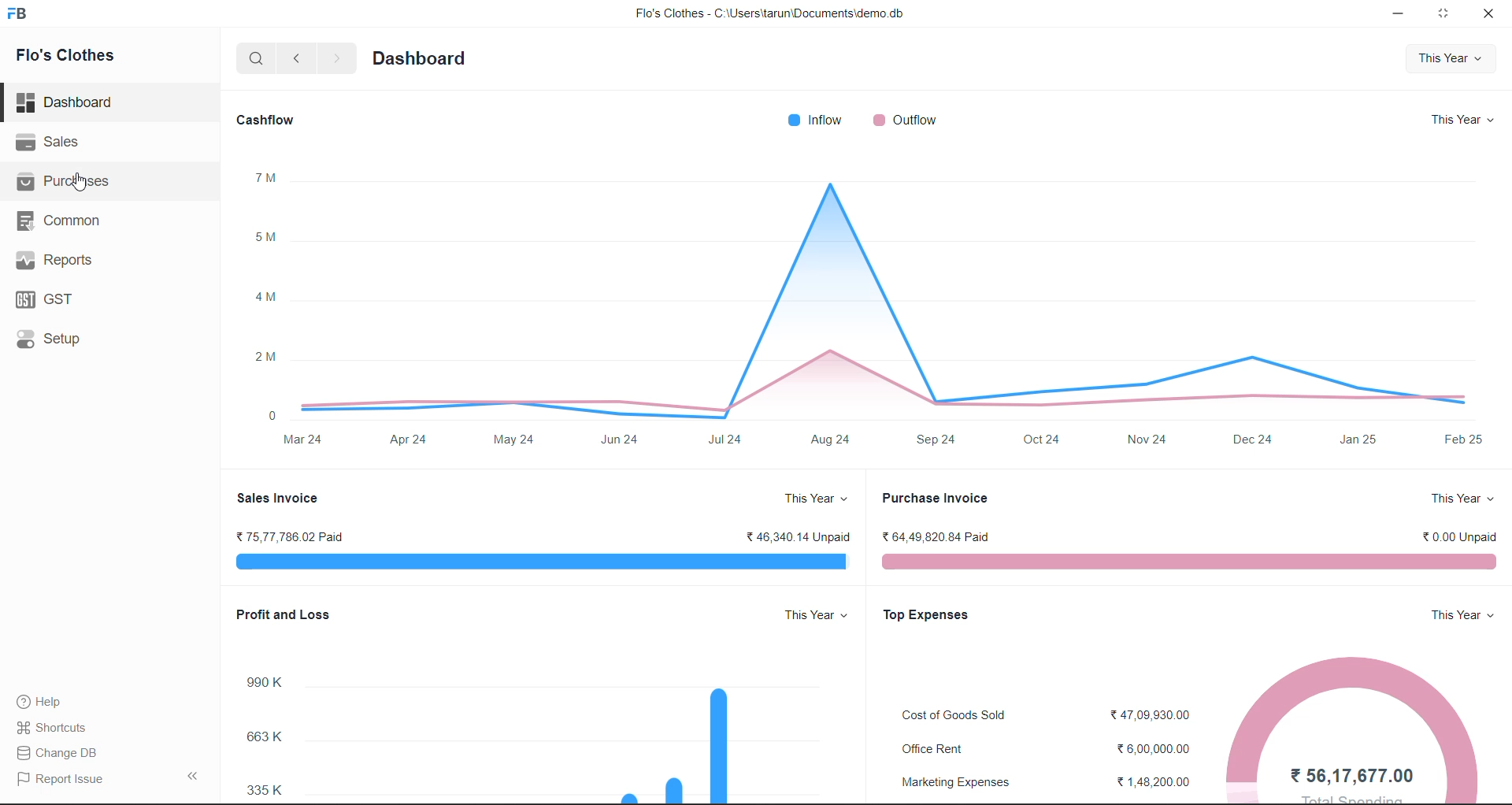 This screenshot has height=805, width=1512. I want to click on Jul 24, so click(728, 437).